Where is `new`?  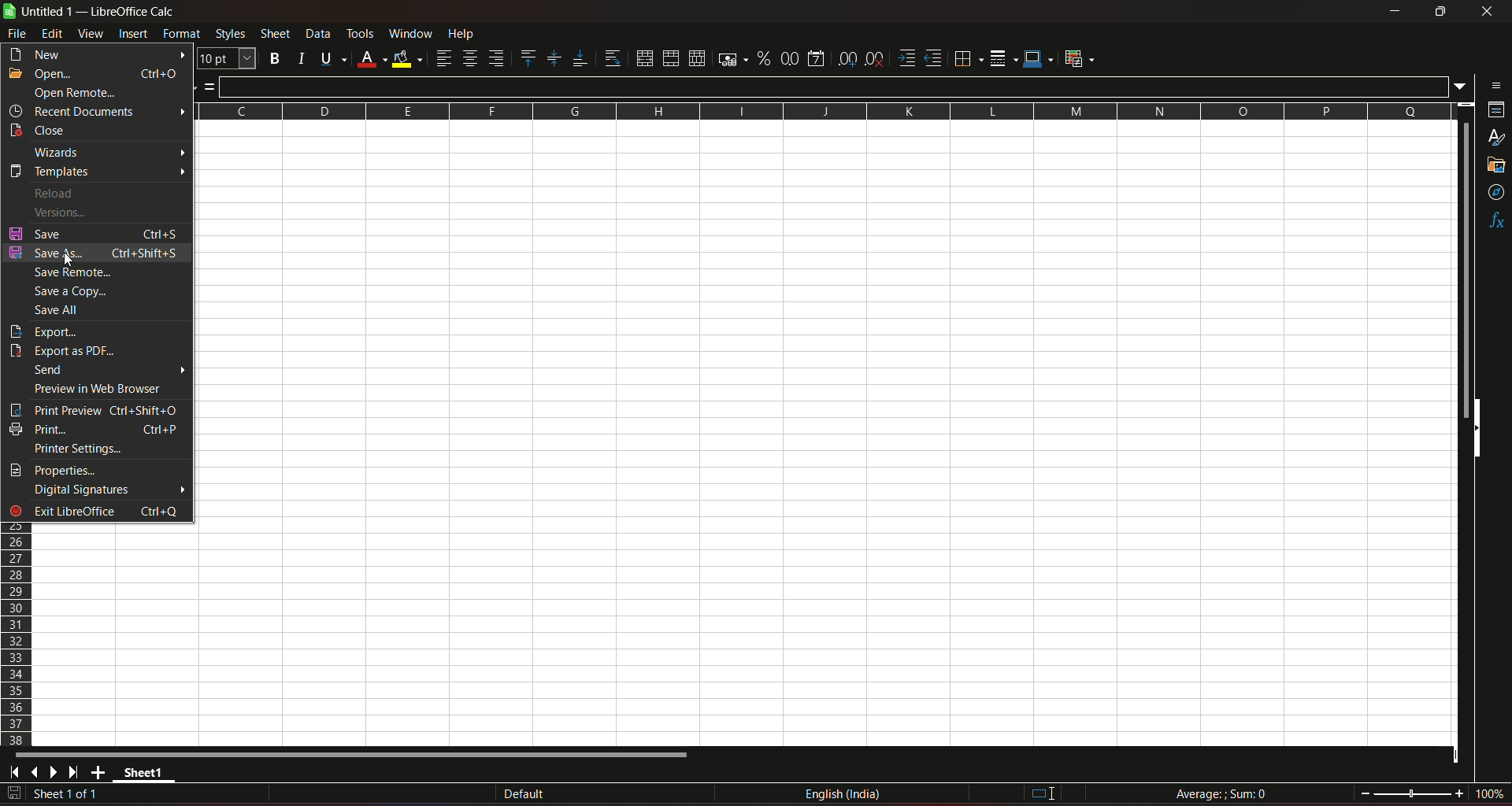
new is located at coordinates (96, 55).